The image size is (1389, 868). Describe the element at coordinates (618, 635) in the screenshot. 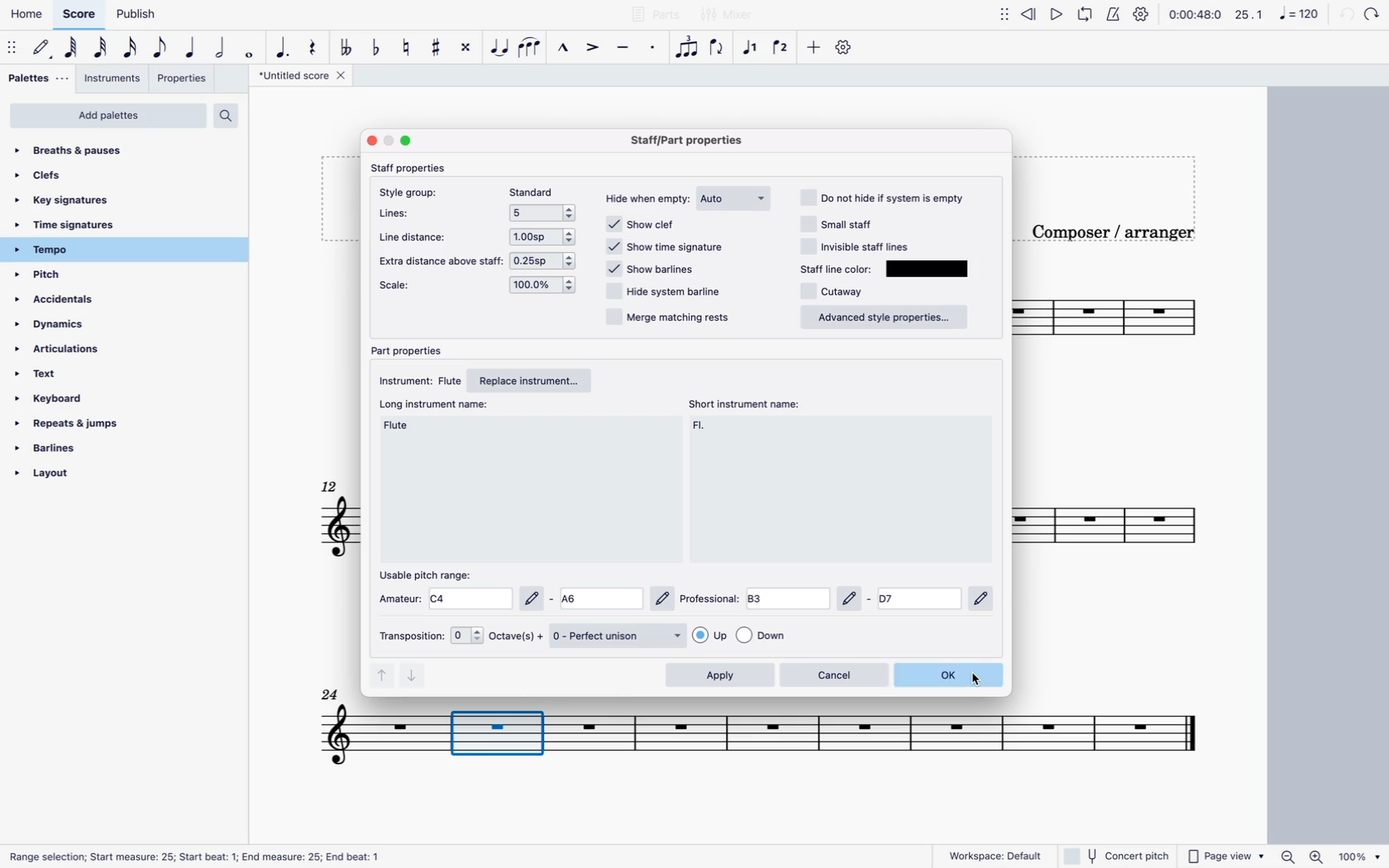

I see `perfect unison` at that location.